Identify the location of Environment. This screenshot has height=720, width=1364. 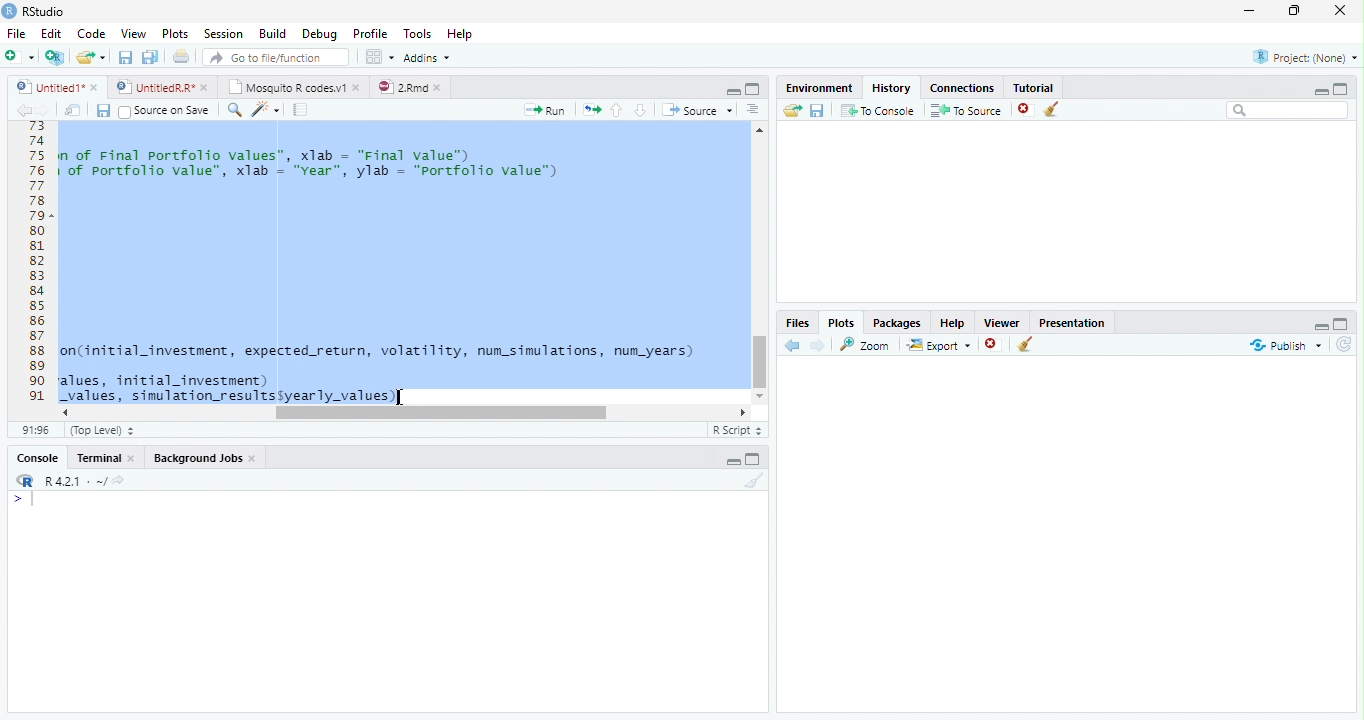
(819, 85).